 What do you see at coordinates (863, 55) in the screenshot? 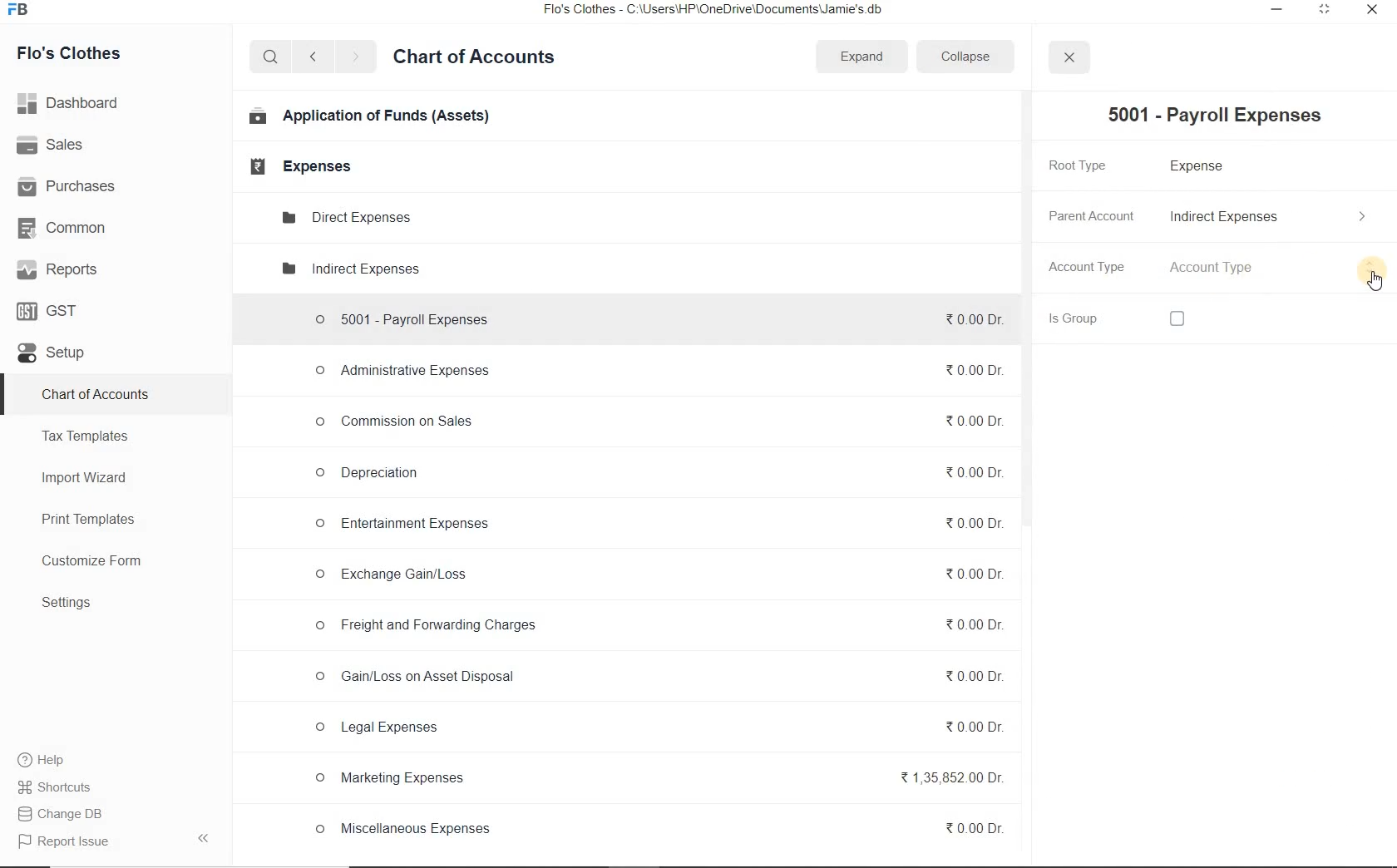
I see `Expand` at bounding box center [863, 55].